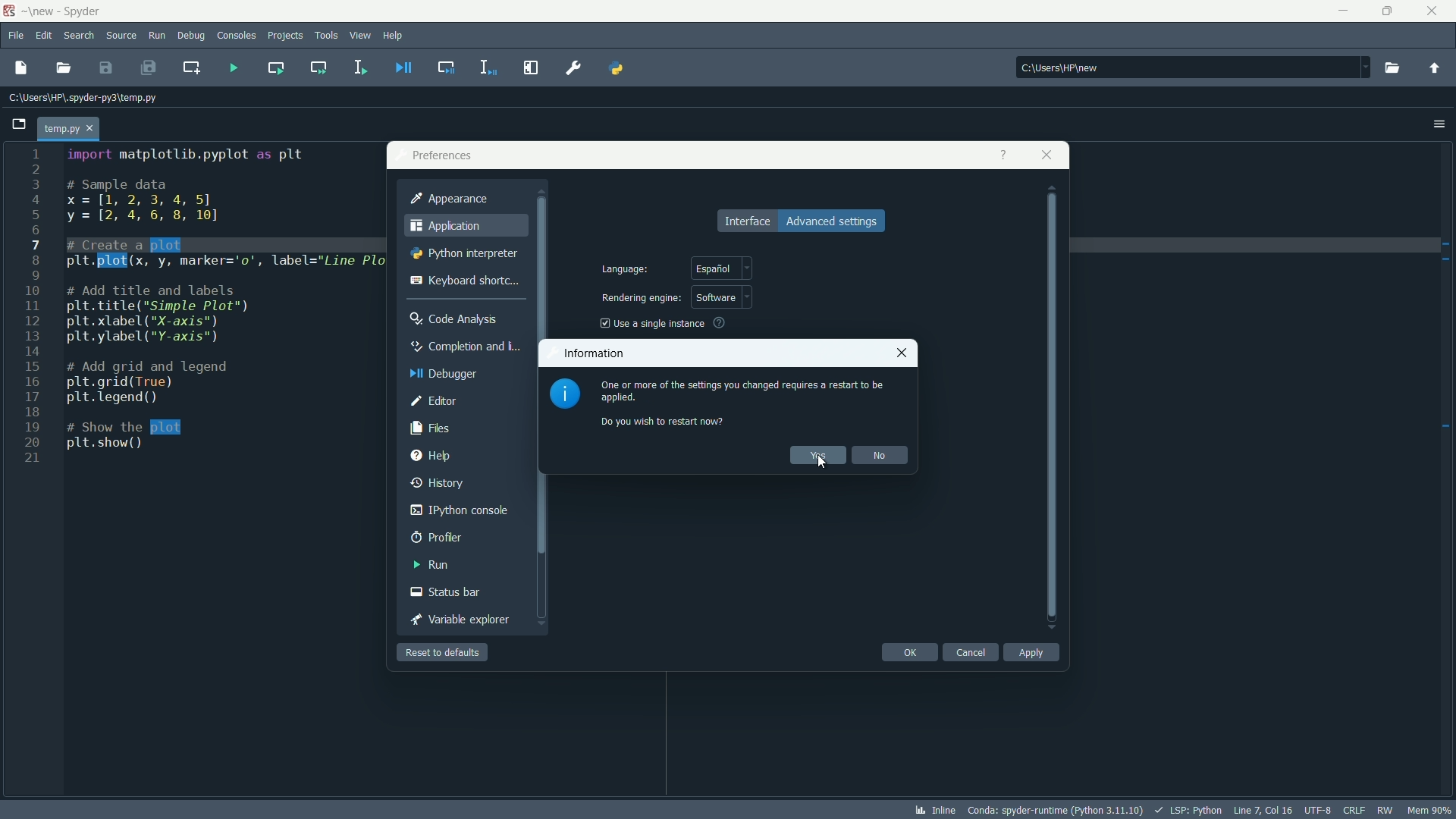 The width and height of the screenshot is (1456, 819). Describe the element at coordinates (816, 455) in the screenshot. I see `yes` at that location.